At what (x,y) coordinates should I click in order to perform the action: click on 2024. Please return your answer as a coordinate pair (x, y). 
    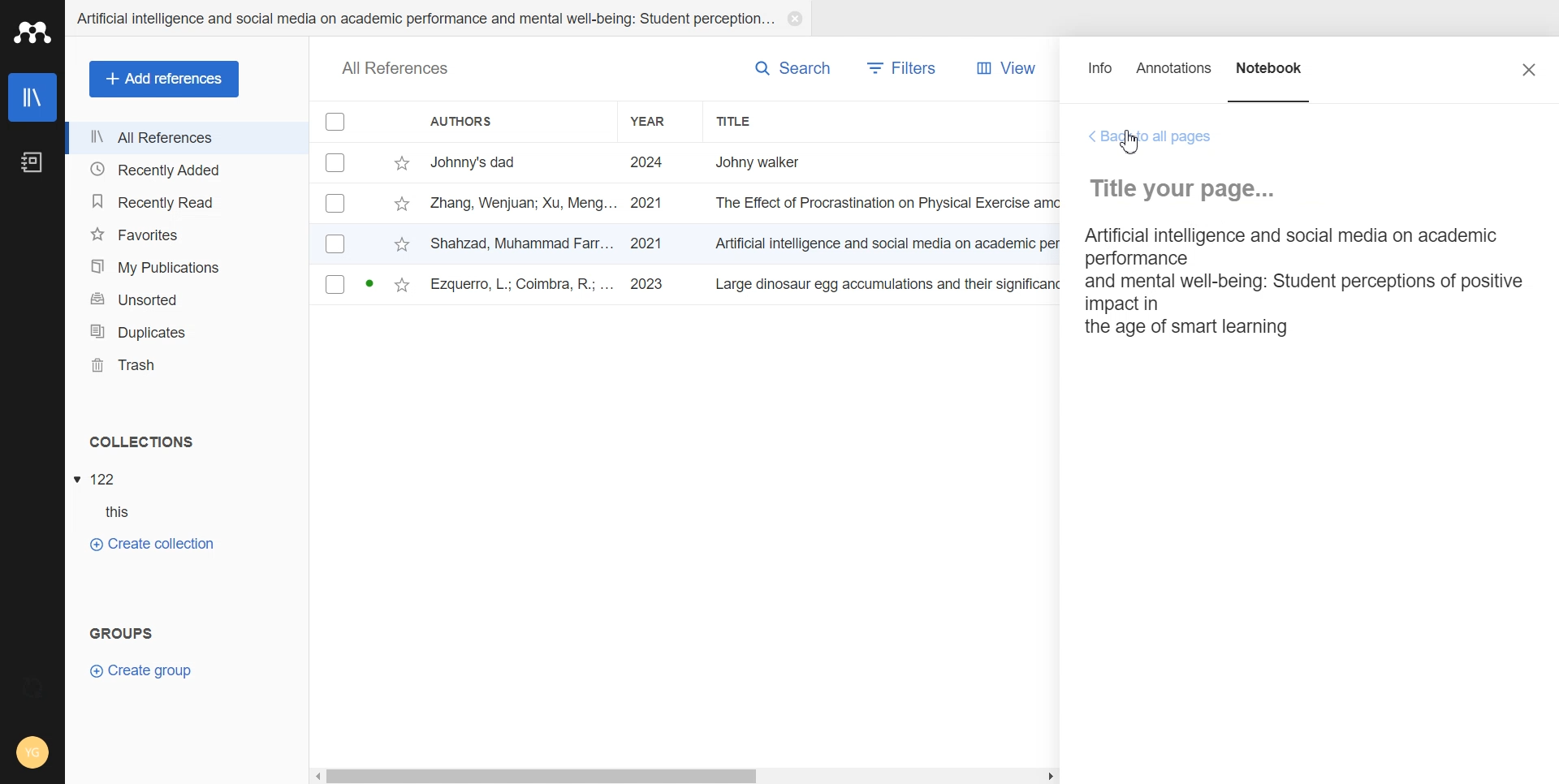
    Looking at the image, I should click on (648, 163).